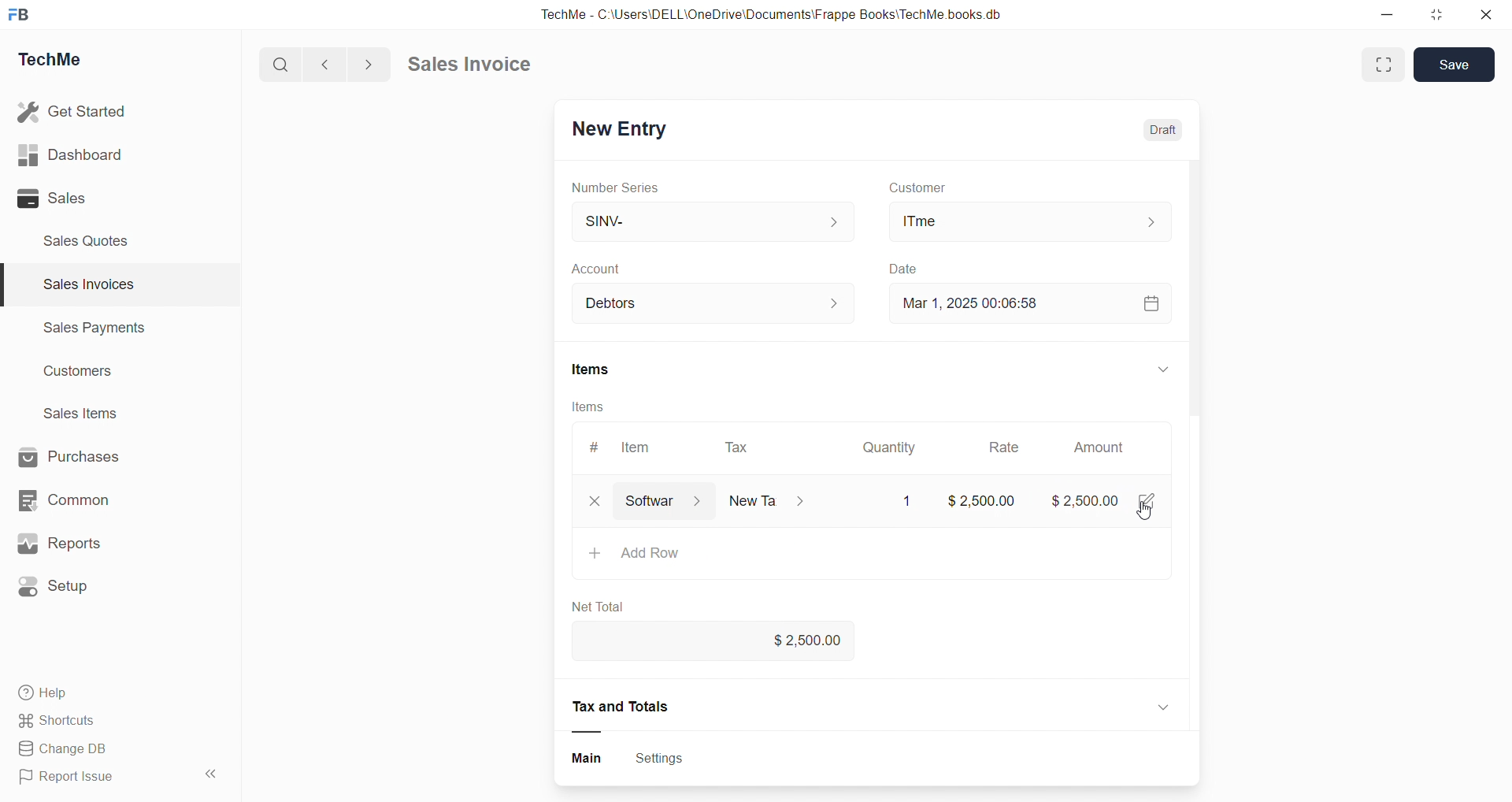 The height and width of the screenshot is (802, 1512). Describe the element at coordinates (739, 448) in the screenshot. I see `Tax` at that location.